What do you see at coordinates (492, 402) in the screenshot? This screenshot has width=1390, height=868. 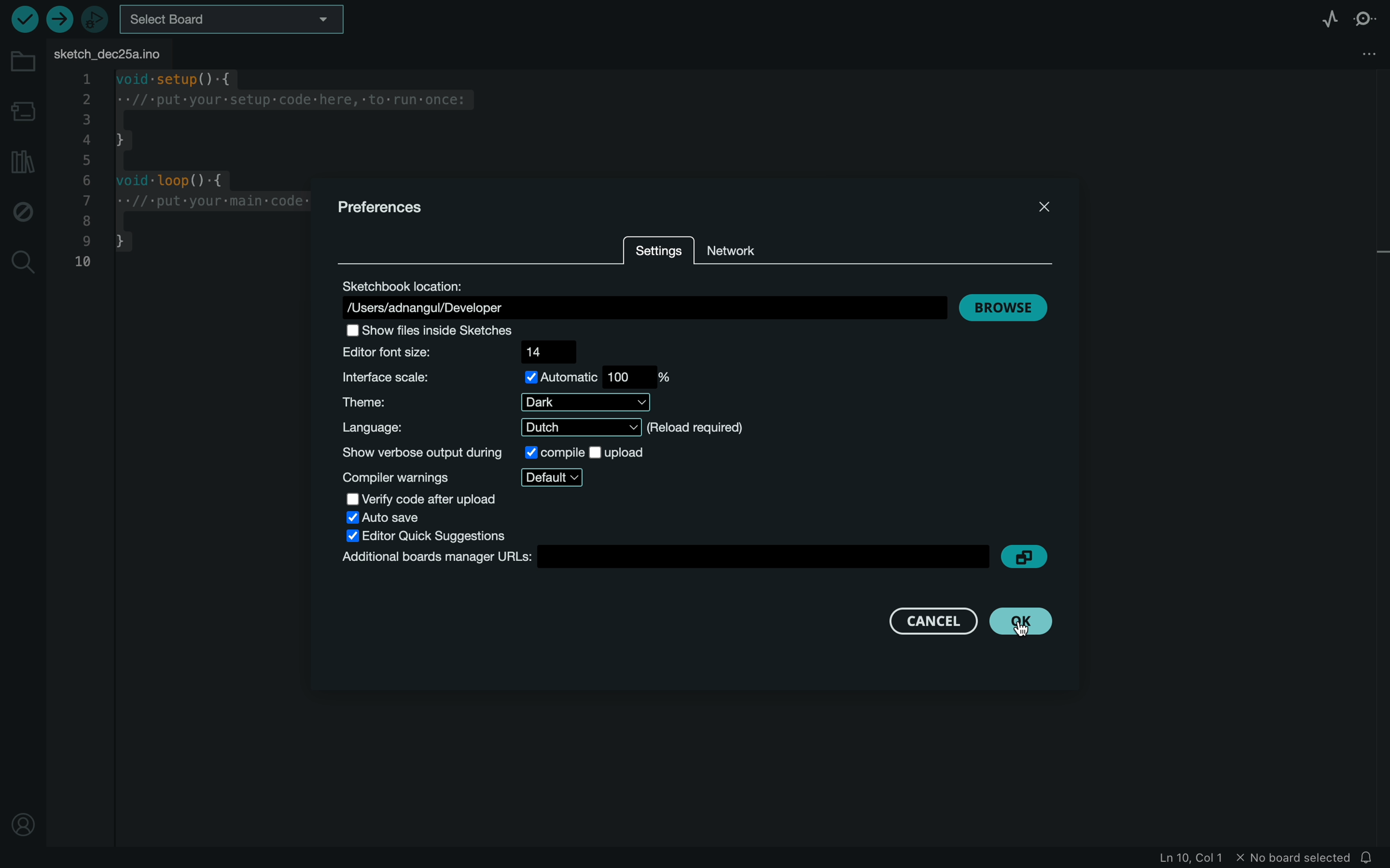 I see `theme` at bounding box center [492, 402].